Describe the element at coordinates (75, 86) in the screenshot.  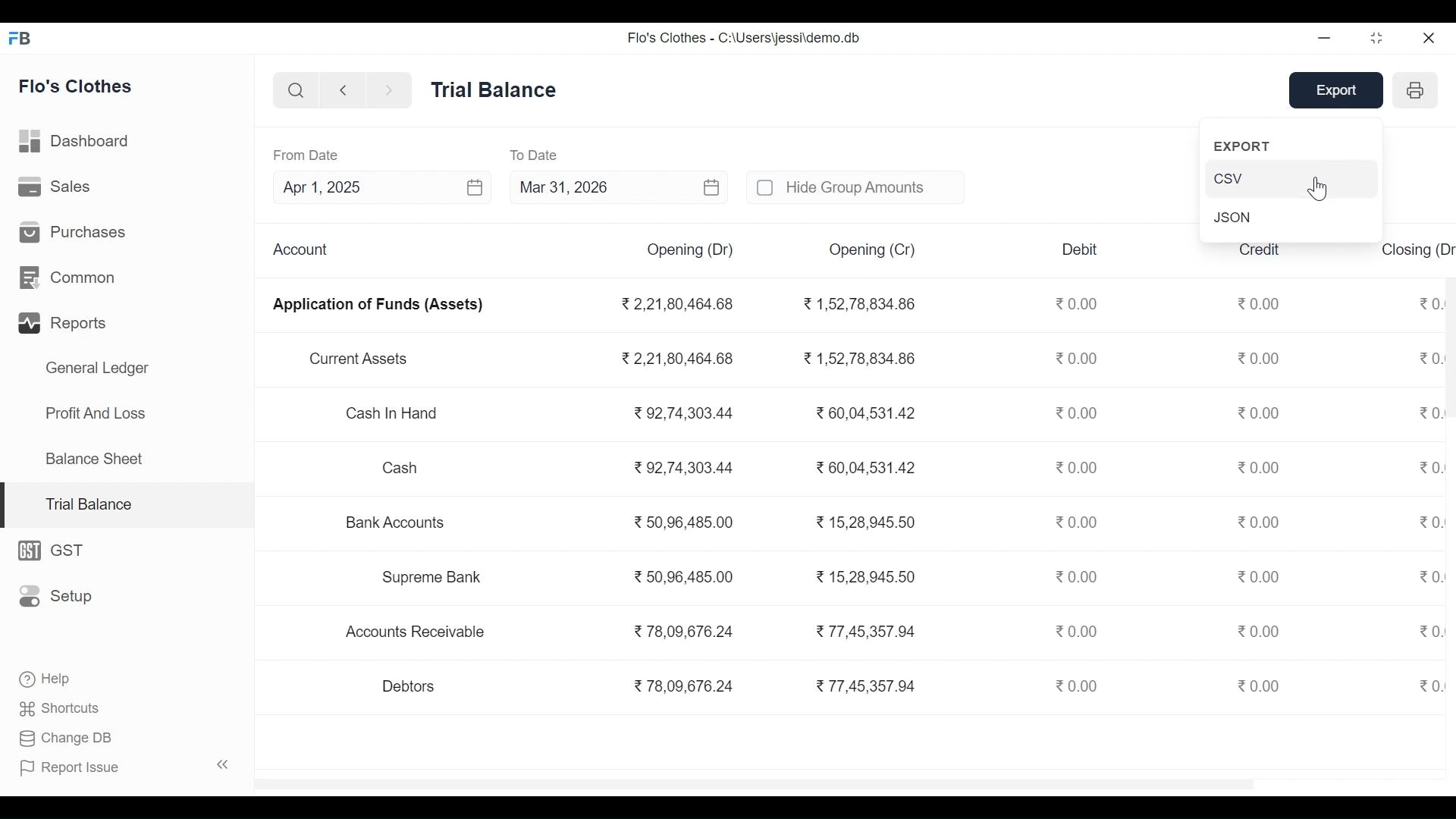
I see `Flo's Clothes` at that location.